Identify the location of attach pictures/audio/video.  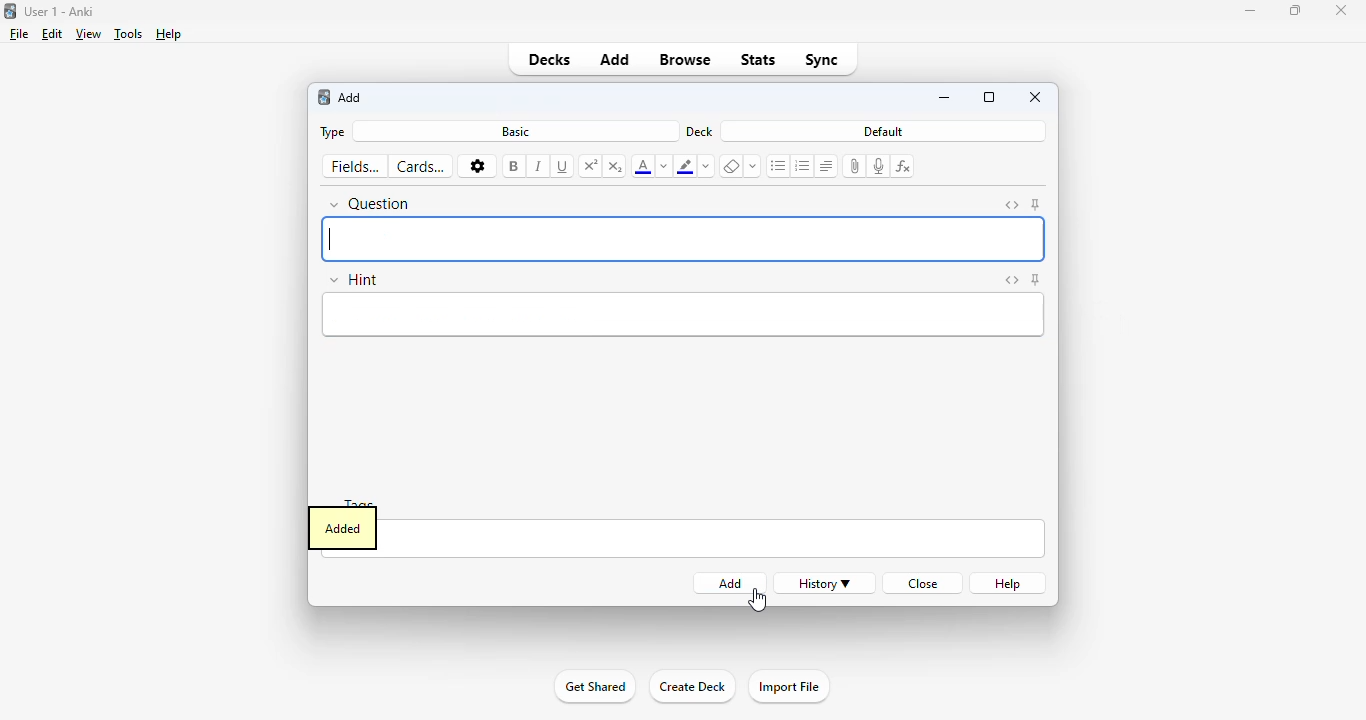
(855, 166).